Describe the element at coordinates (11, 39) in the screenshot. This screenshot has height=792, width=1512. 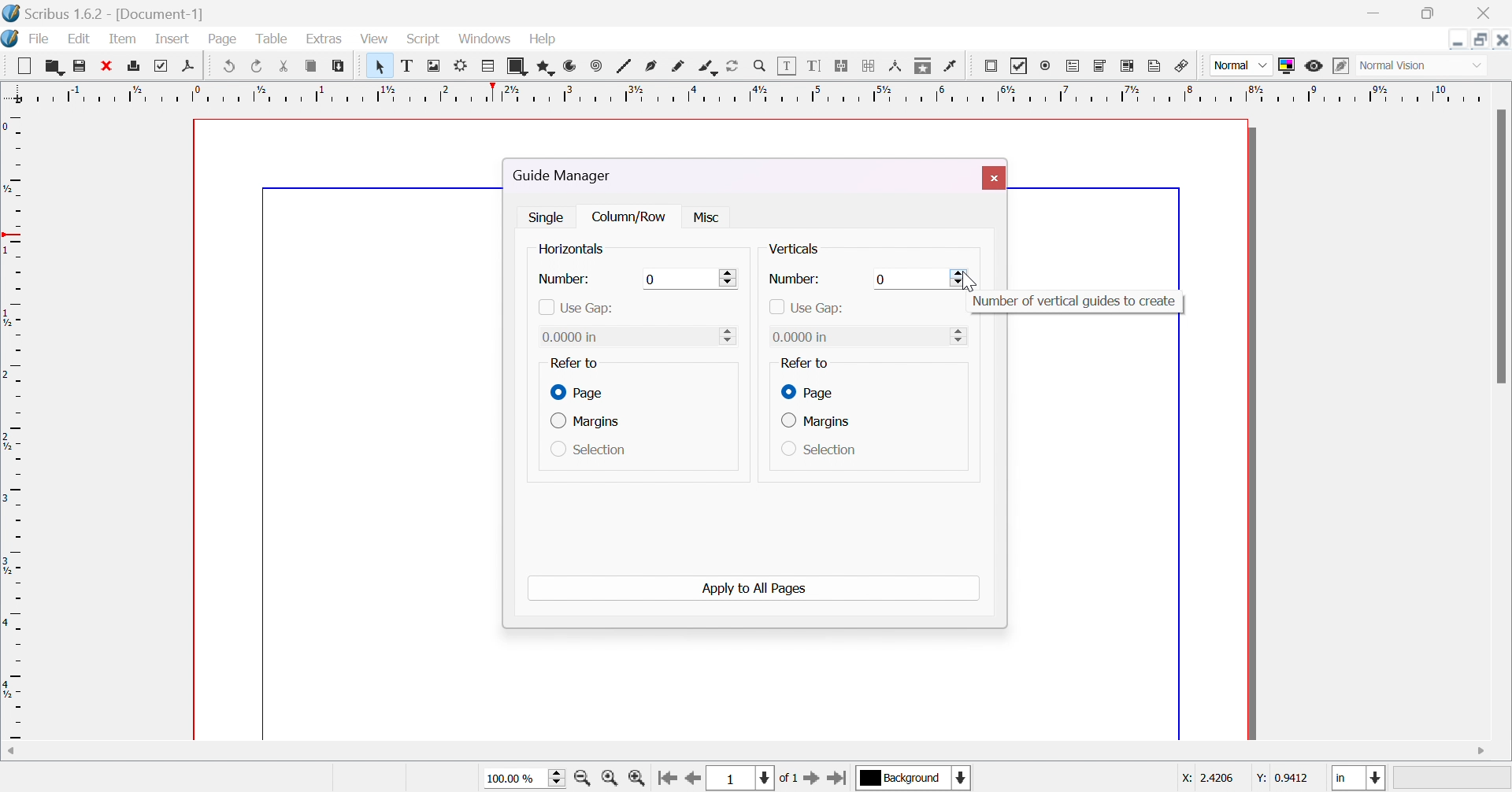
I see `Icon` at that location.